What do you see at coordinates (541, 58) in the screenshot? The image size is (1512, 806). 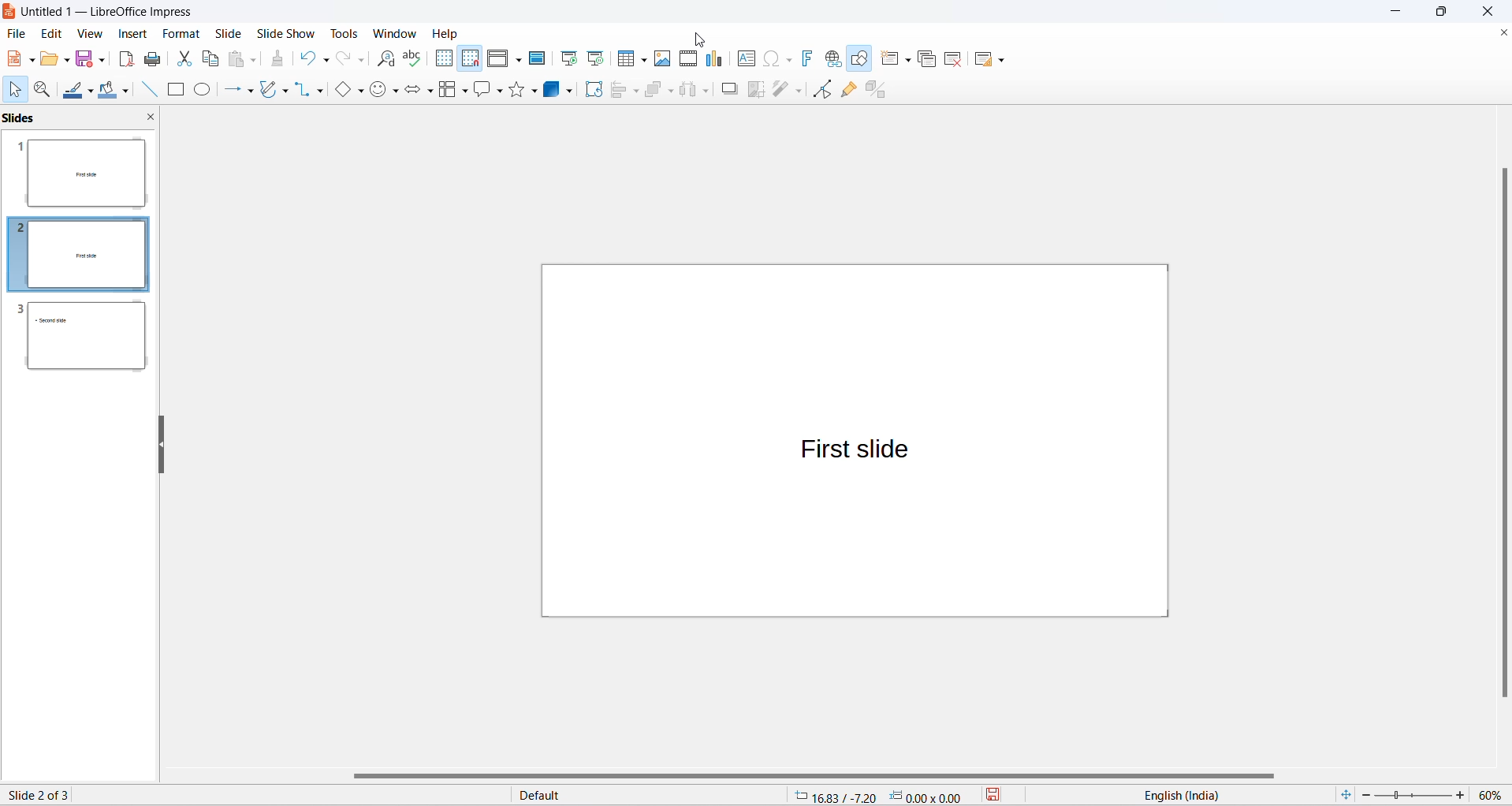 I see `master slide` at bounding box center [541, 58].